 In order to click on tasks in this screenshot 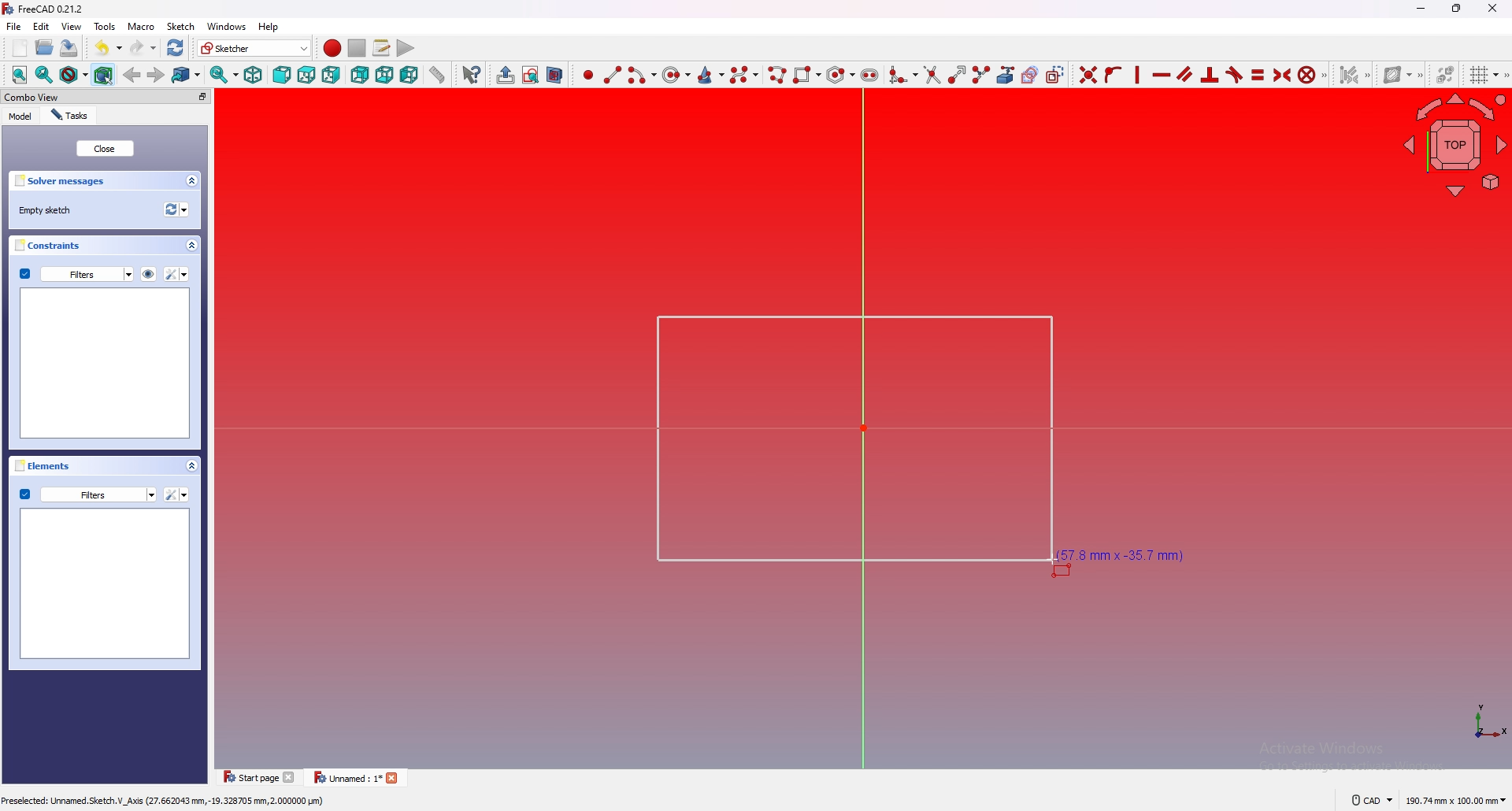, I will do `click(70, 116)`.